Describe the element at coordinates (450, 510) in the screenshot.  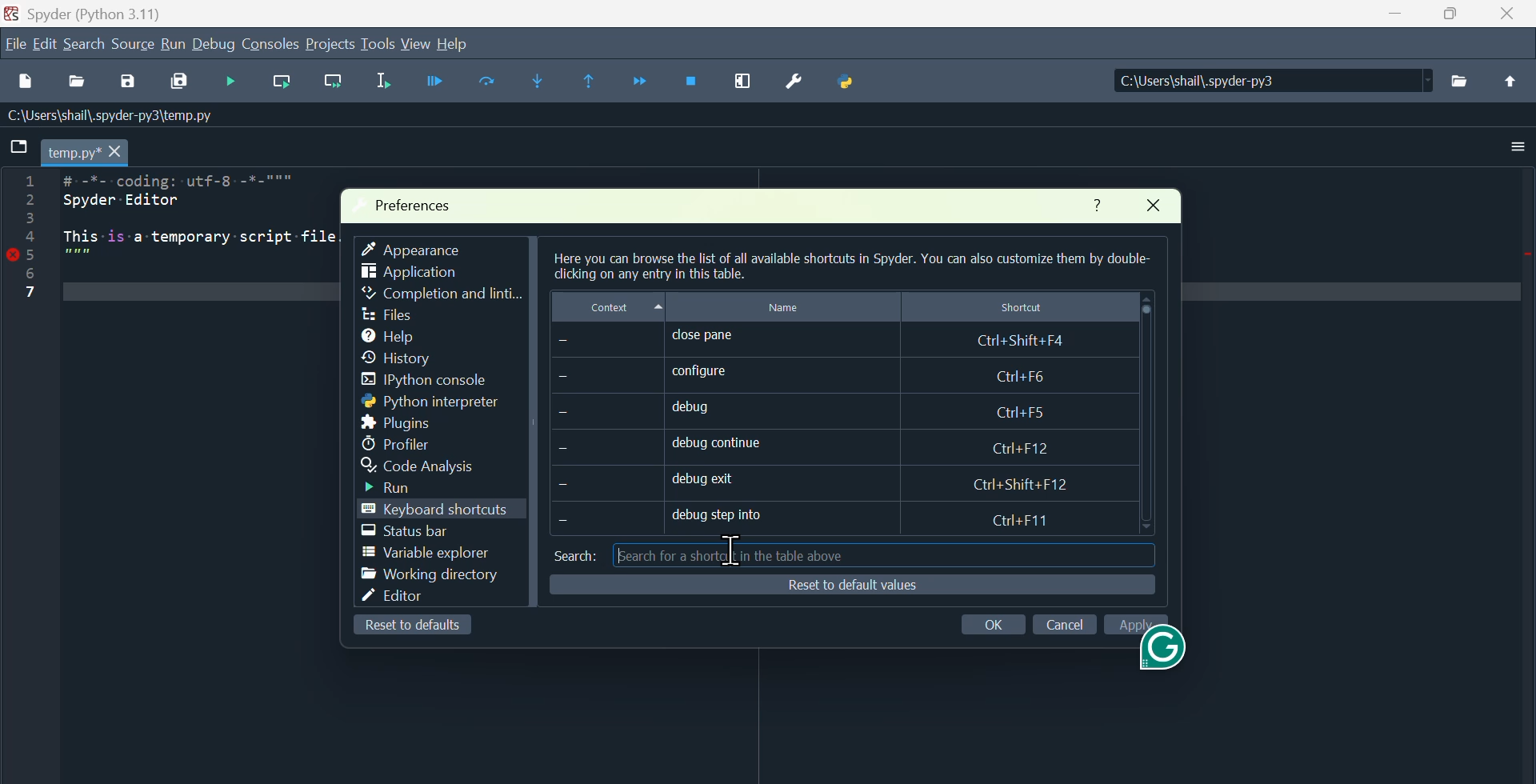
I see `Keyboard shortcuts` at that location.